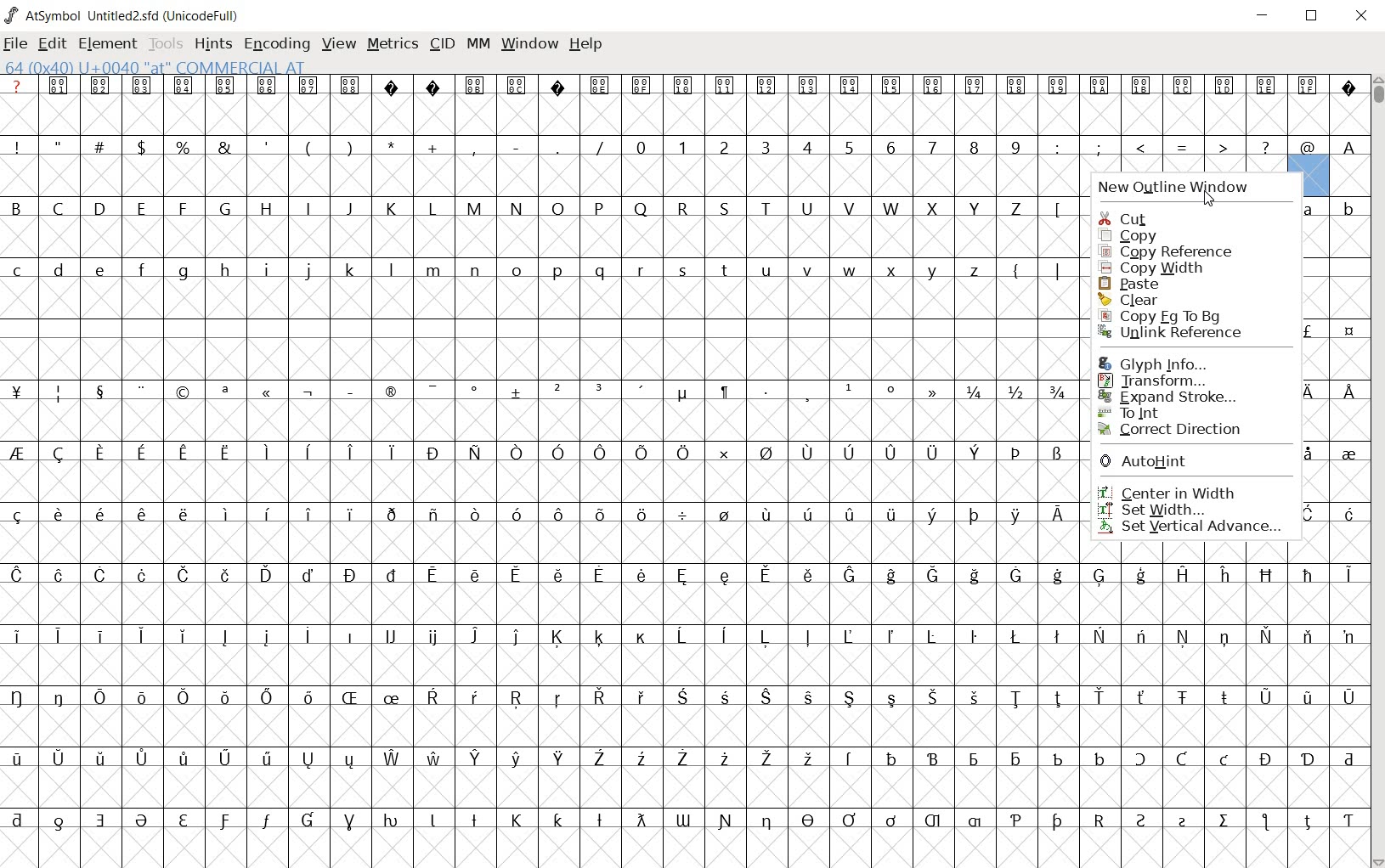 This screenshot has height=868, width=1385. I want to click on ELEMENT, so click(108, 45).